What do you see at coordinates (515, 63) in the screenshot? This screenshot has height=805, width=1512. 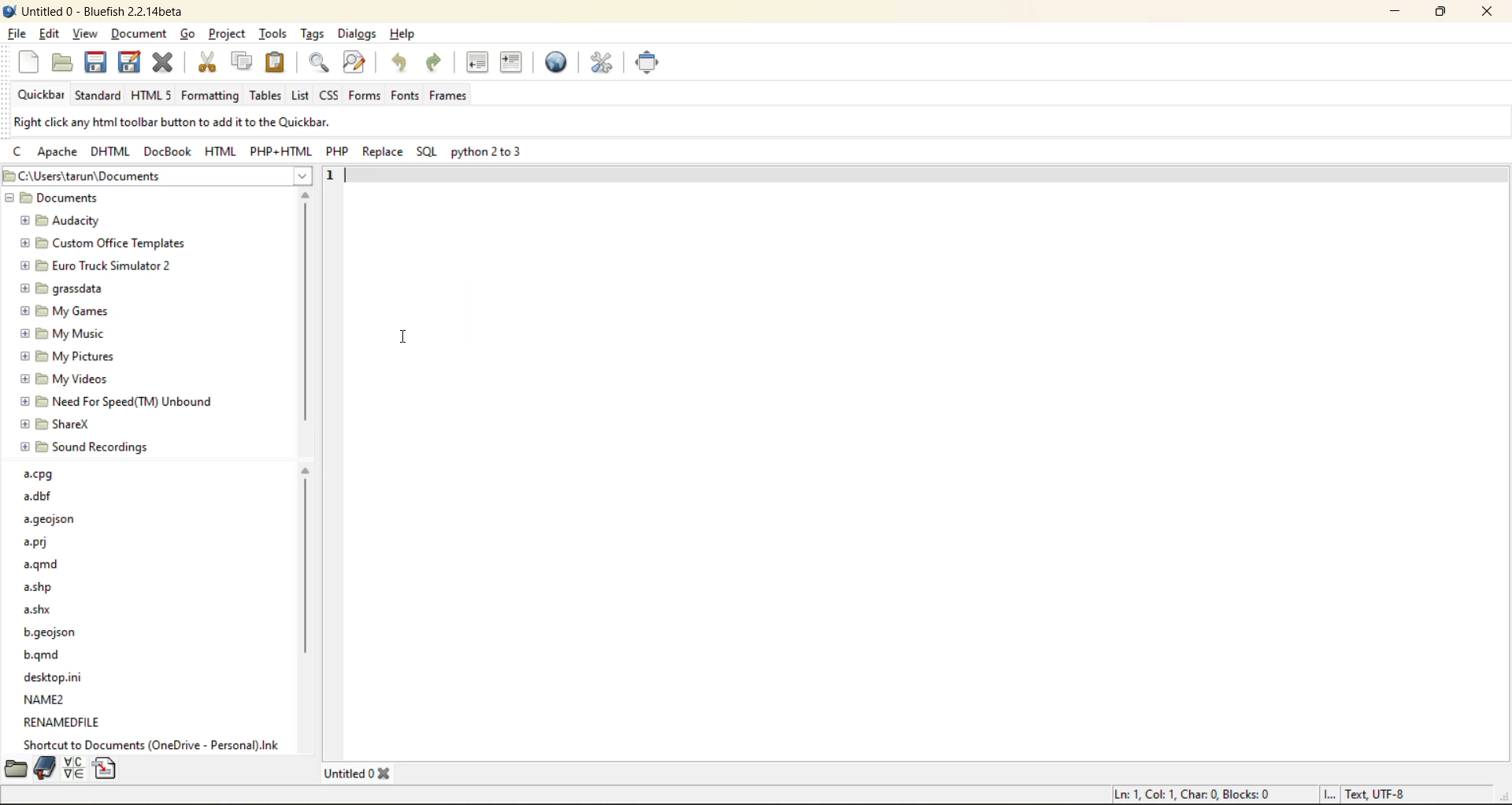 I see `indent` at bounding box center [515, 63].